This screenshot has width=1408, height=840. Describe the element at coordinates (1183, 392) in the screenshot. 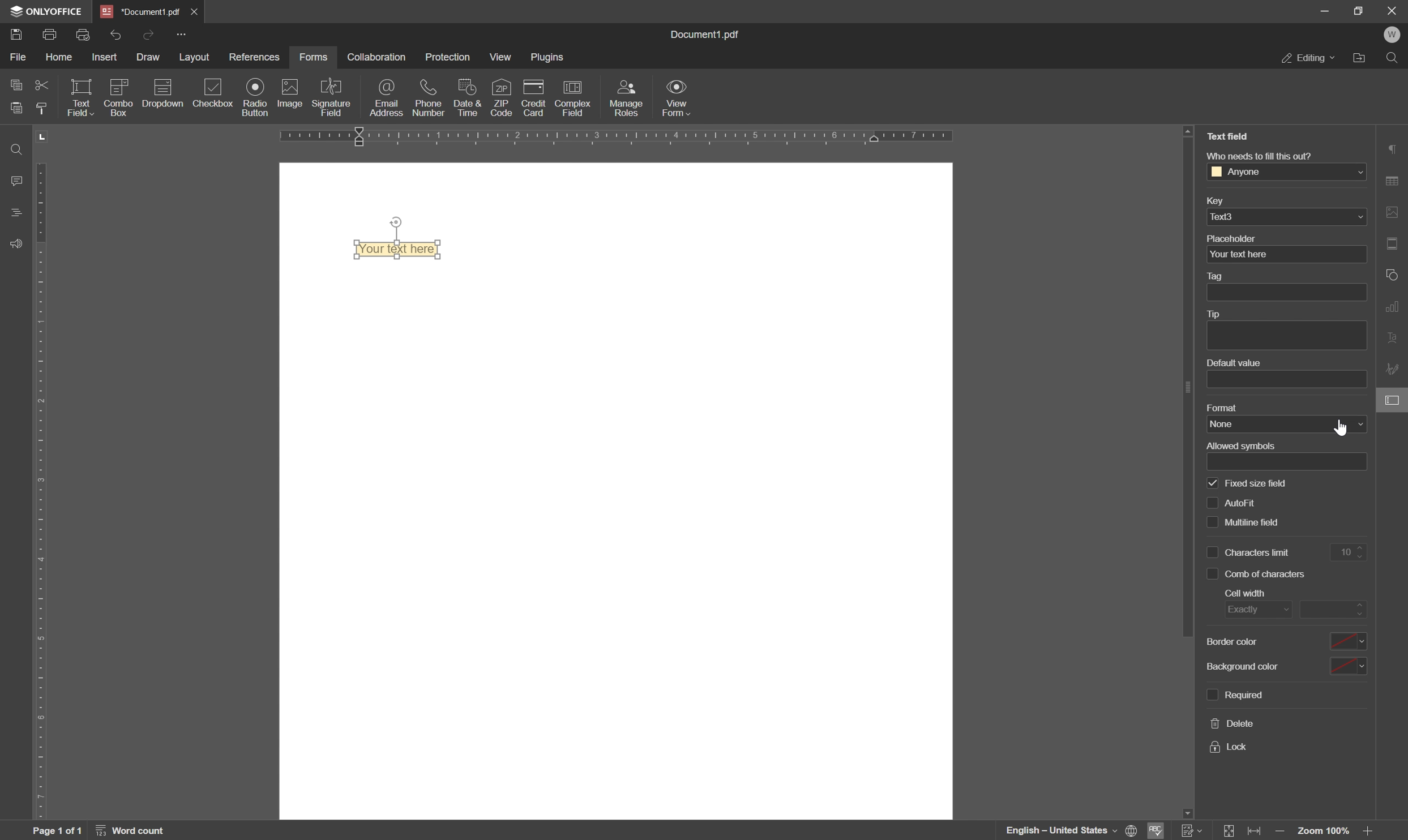

I see `scroll bar` at that location.